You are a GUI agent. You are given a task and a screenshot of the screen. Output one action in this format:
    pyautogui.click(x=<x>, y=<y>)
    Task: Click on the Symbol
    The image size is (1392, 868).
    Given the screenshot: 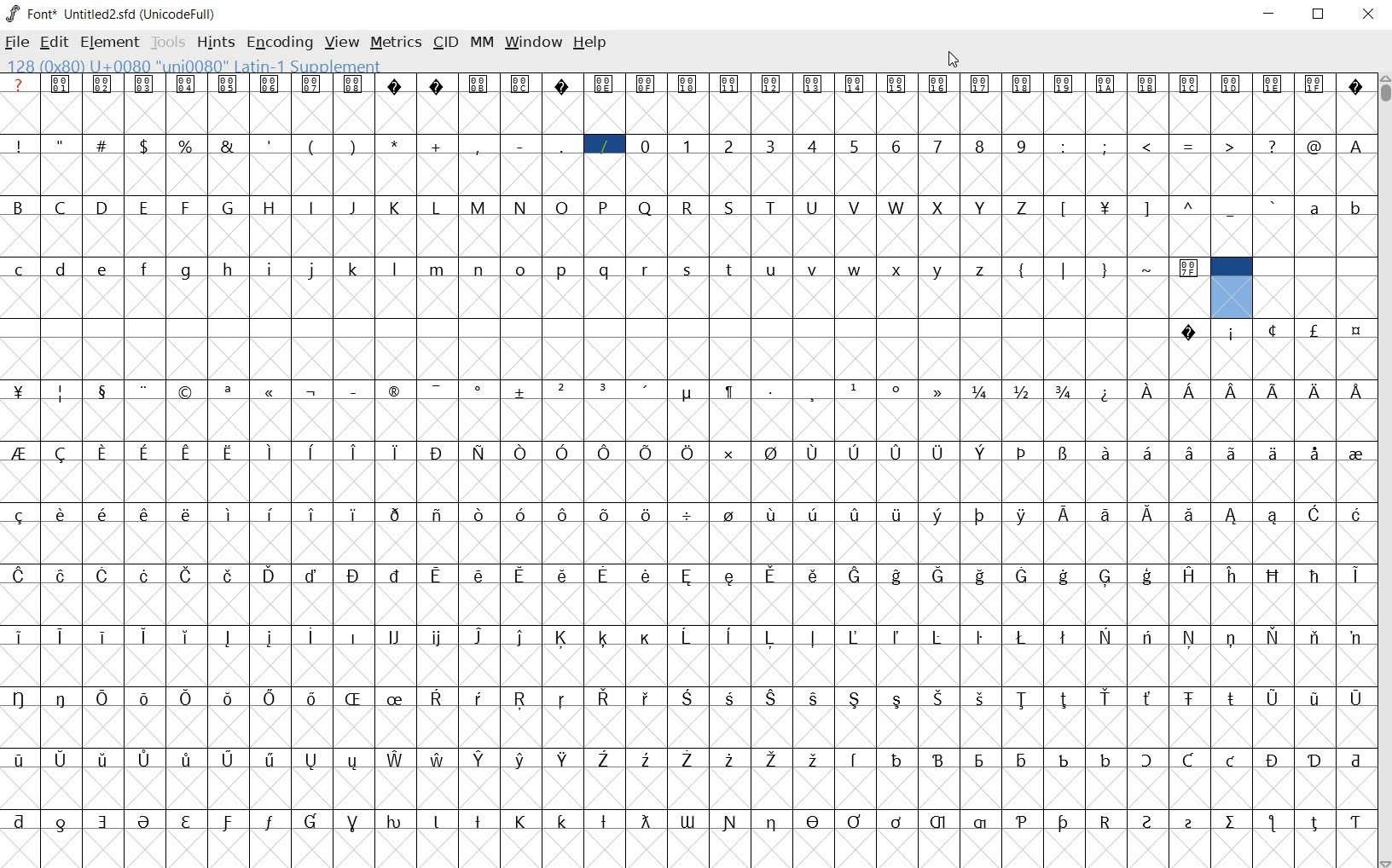 What is the action you would take?
    pyautogui.click(x=648, y=574)
    